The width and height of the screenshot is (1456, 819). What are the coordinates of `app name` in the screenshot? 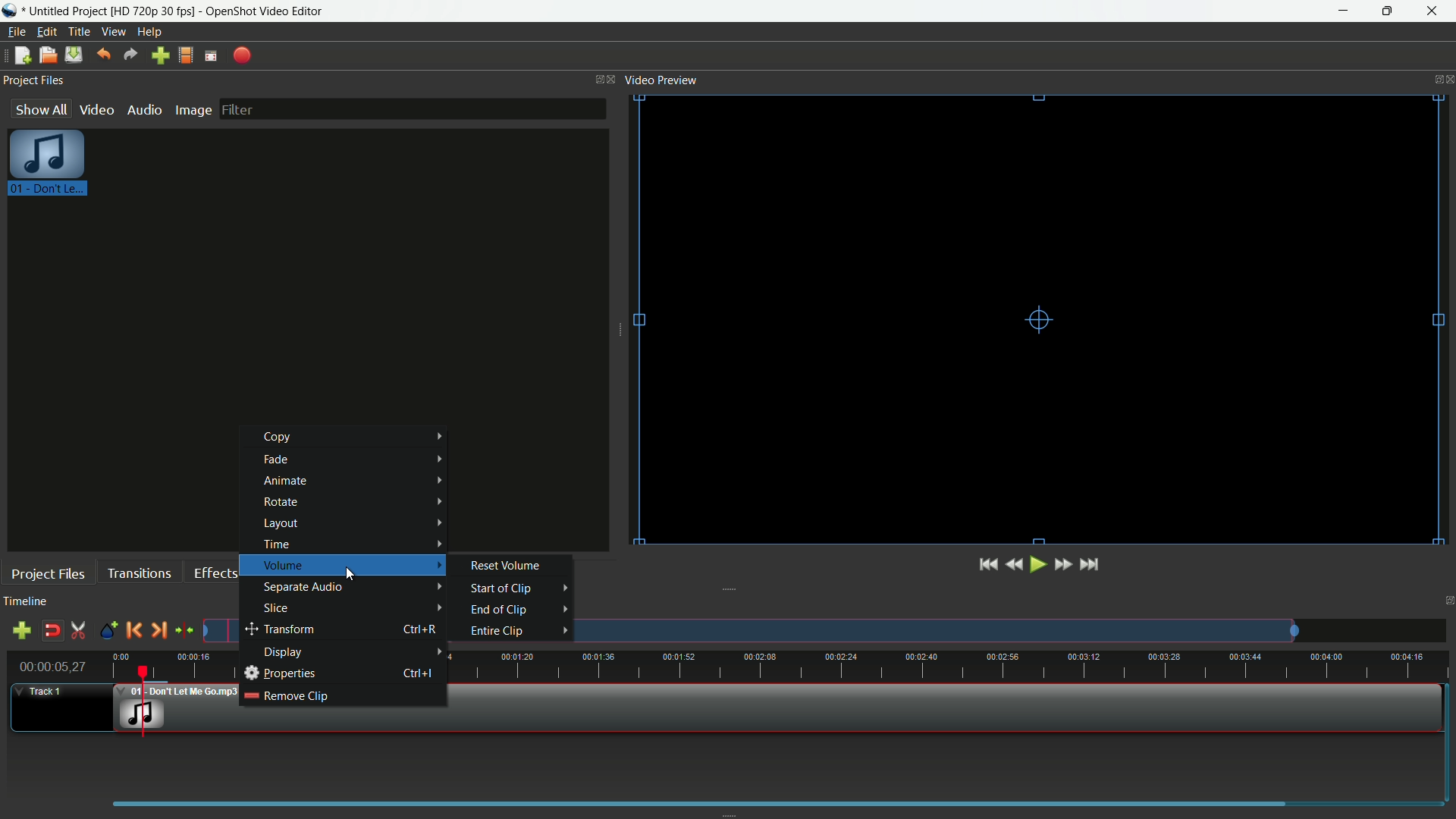 It's located at (265, 11).